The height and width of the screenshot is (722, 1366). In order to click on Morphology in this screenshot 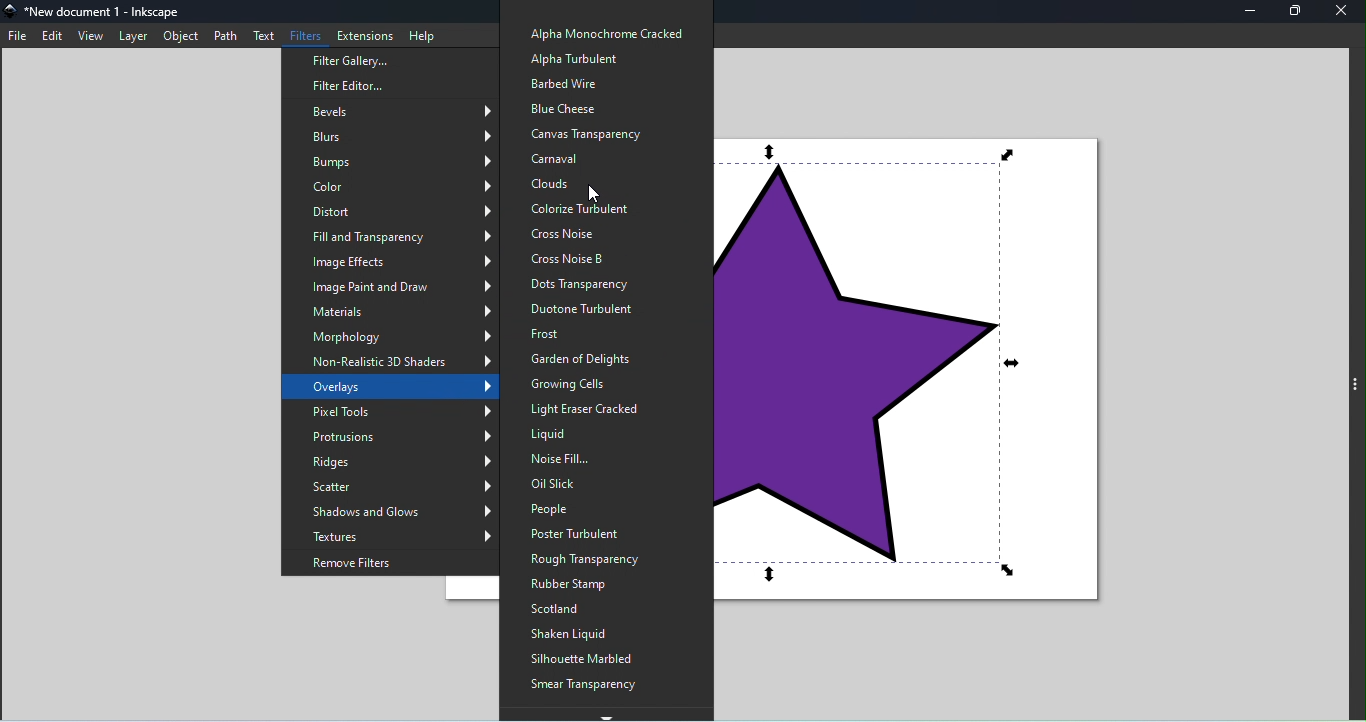, I will do `click(400, 336)`.